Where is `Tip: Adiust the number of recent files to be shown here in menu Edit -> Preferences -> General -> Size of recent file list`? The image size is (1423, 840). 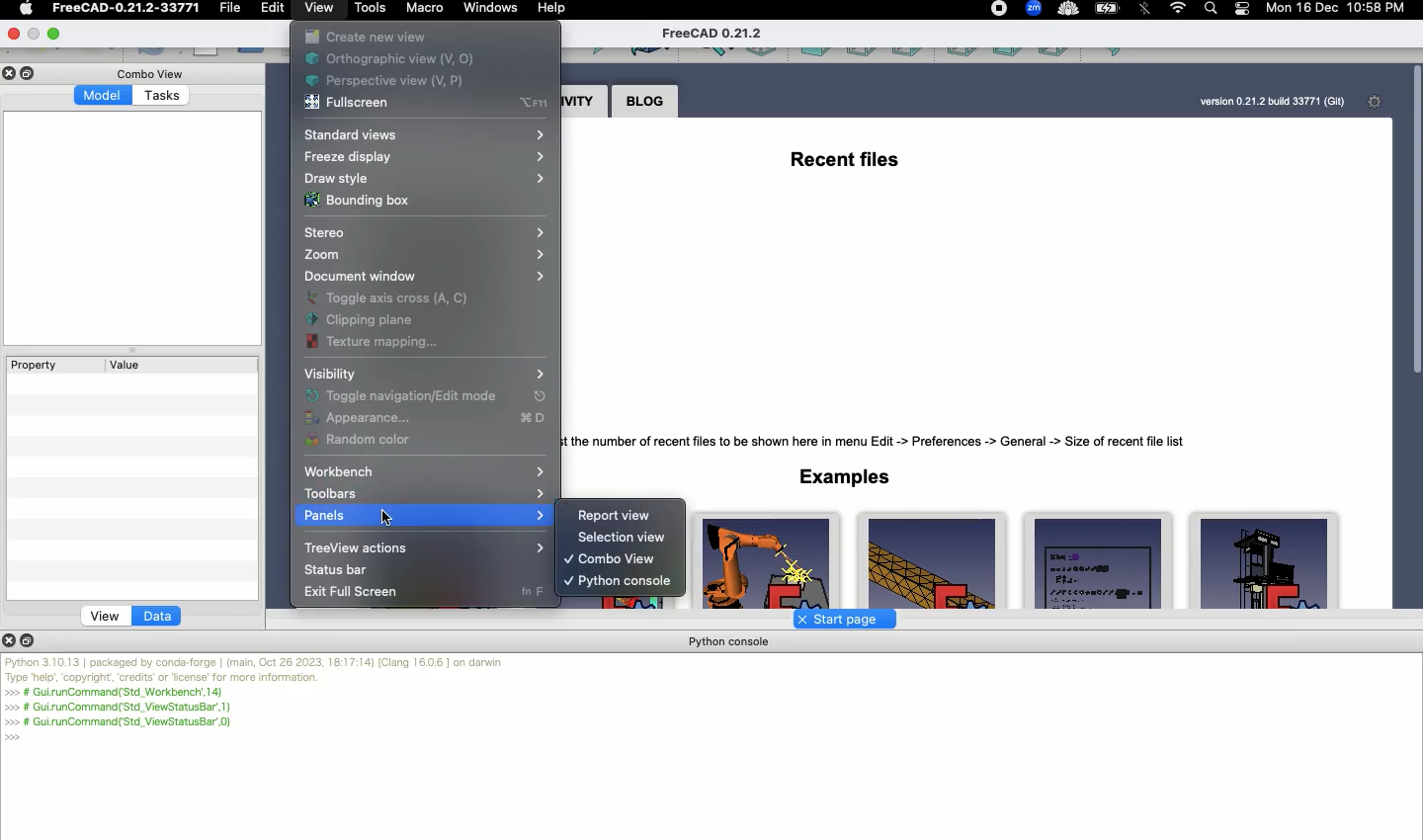
Tip: Adiust the number of recent files to be shown here in menu Edit -> Preferences -> General -> Size of recent file list is located at coordinates (884, 438).